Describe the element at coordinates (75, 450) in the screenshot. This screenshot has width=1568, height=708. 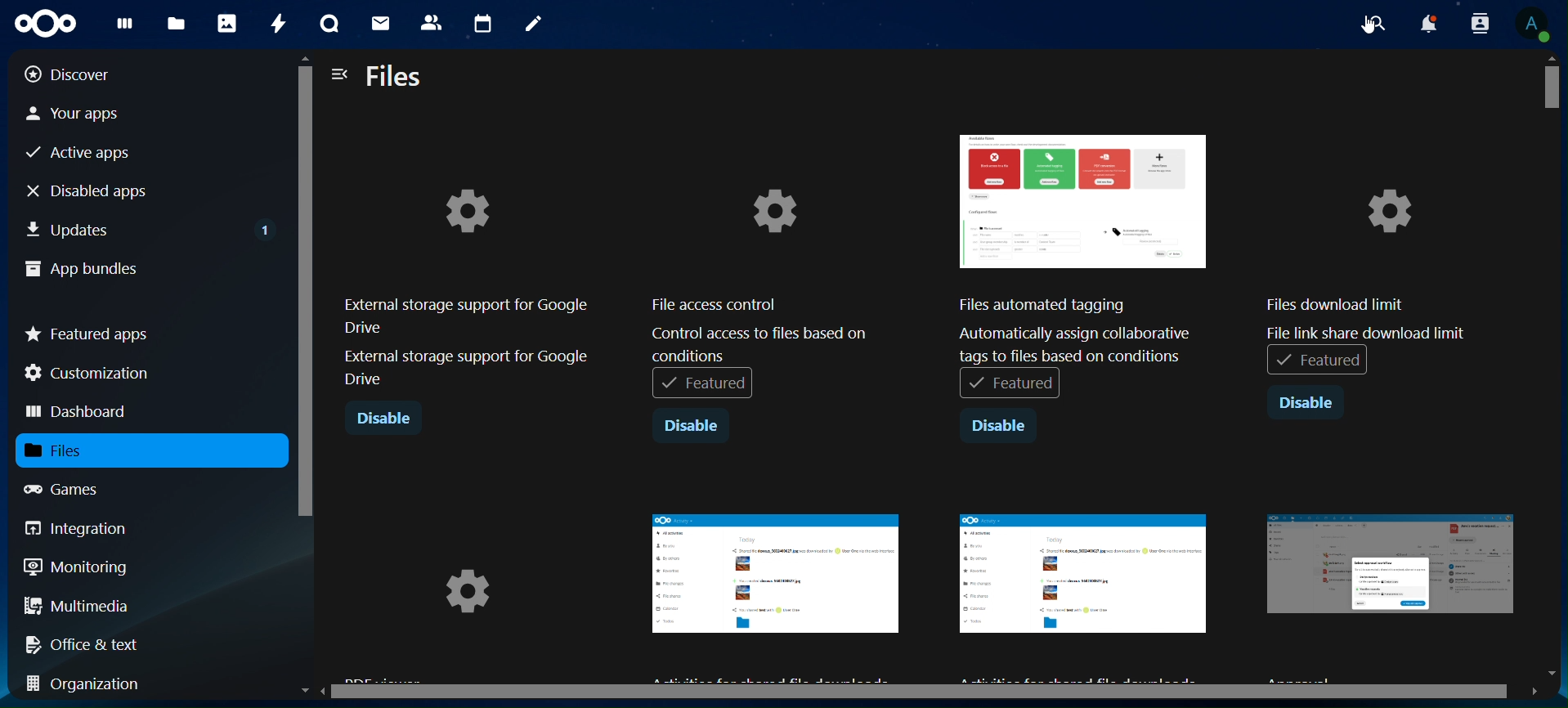
I see `files` at that location.